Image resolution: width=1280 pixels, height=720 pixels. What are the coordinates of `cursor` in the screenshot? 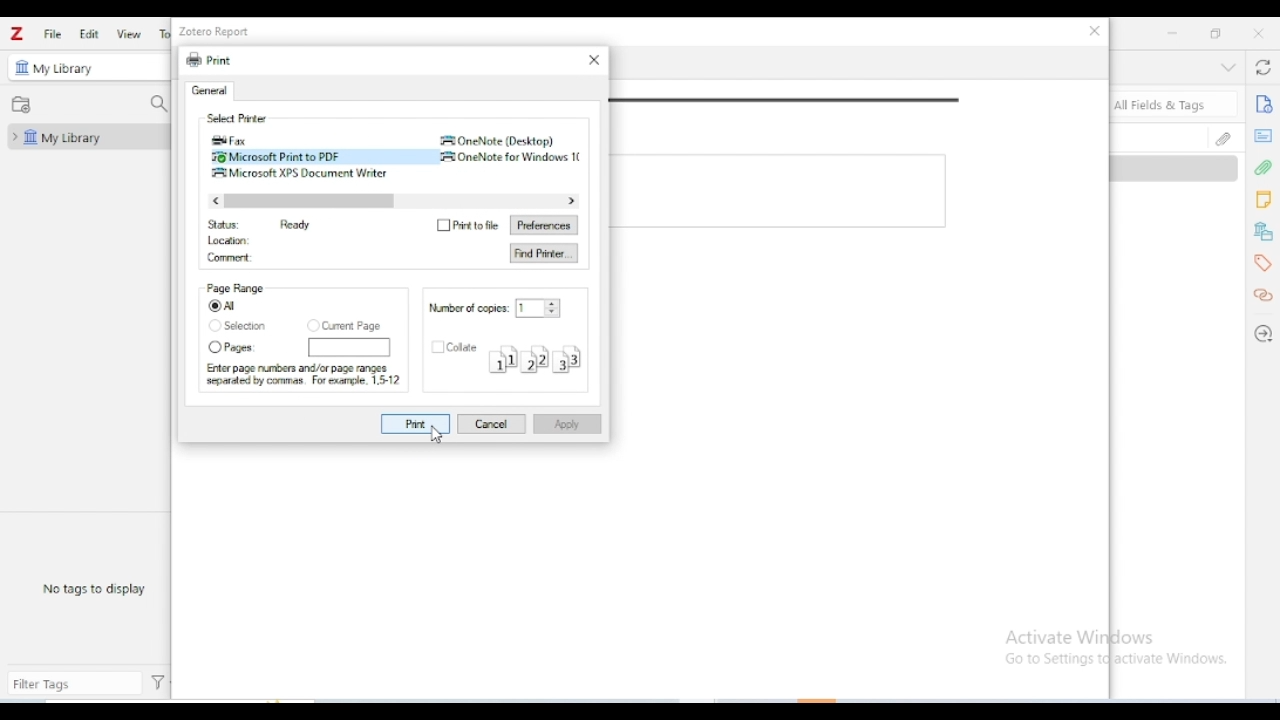 It's located at (436, 436).